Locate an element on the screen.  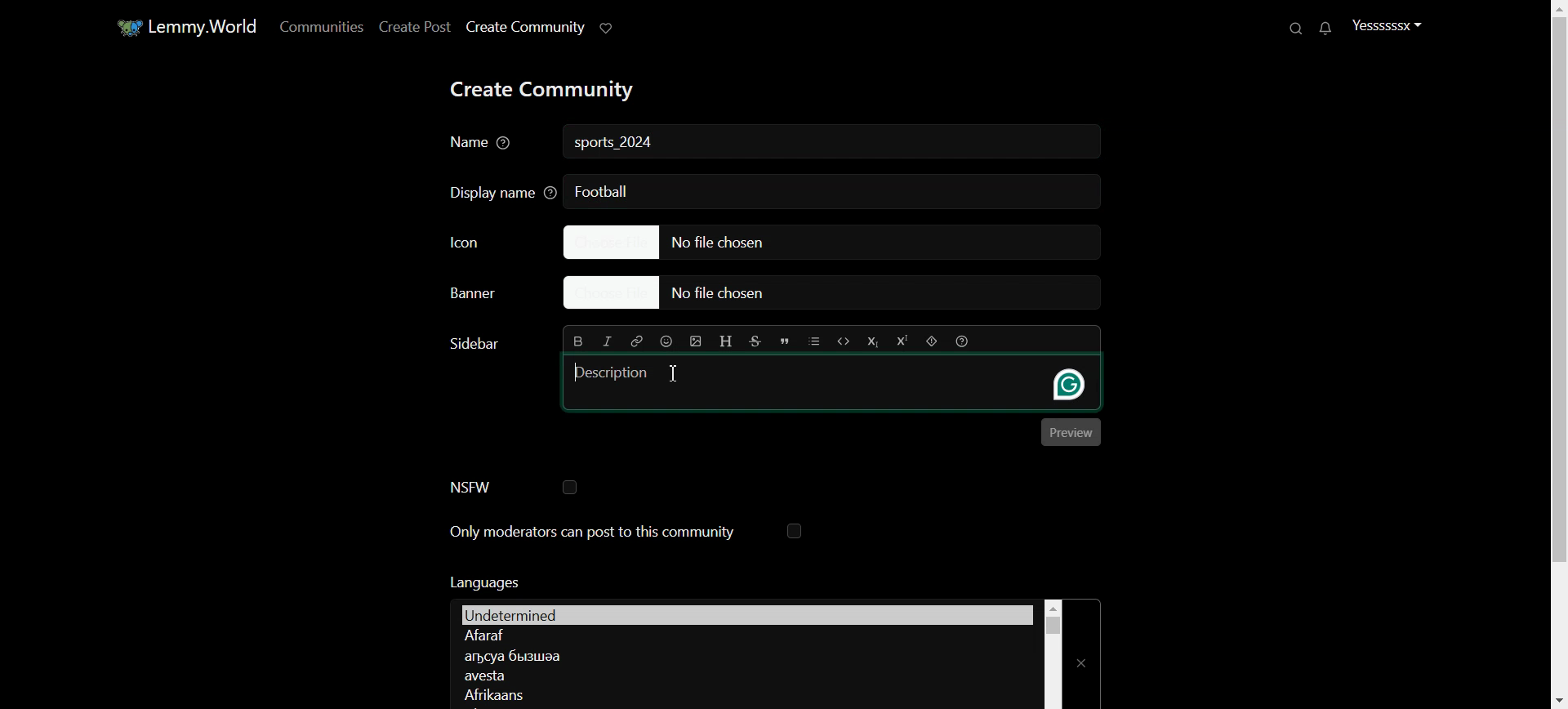
Create Post is located at coordinates (413, 26).